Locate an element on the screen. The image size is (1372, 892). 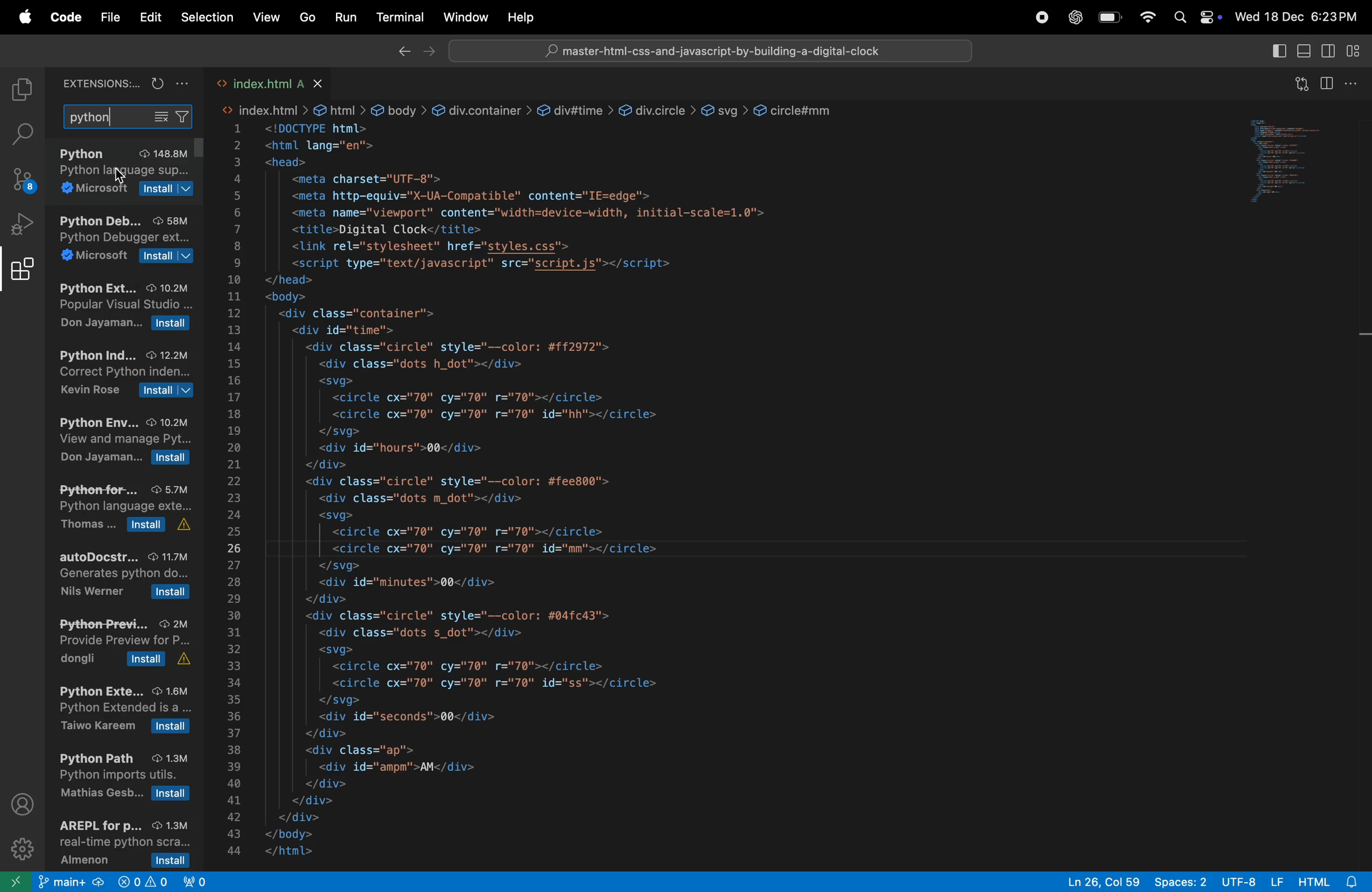
correct python is located at coordinates (123, 375).